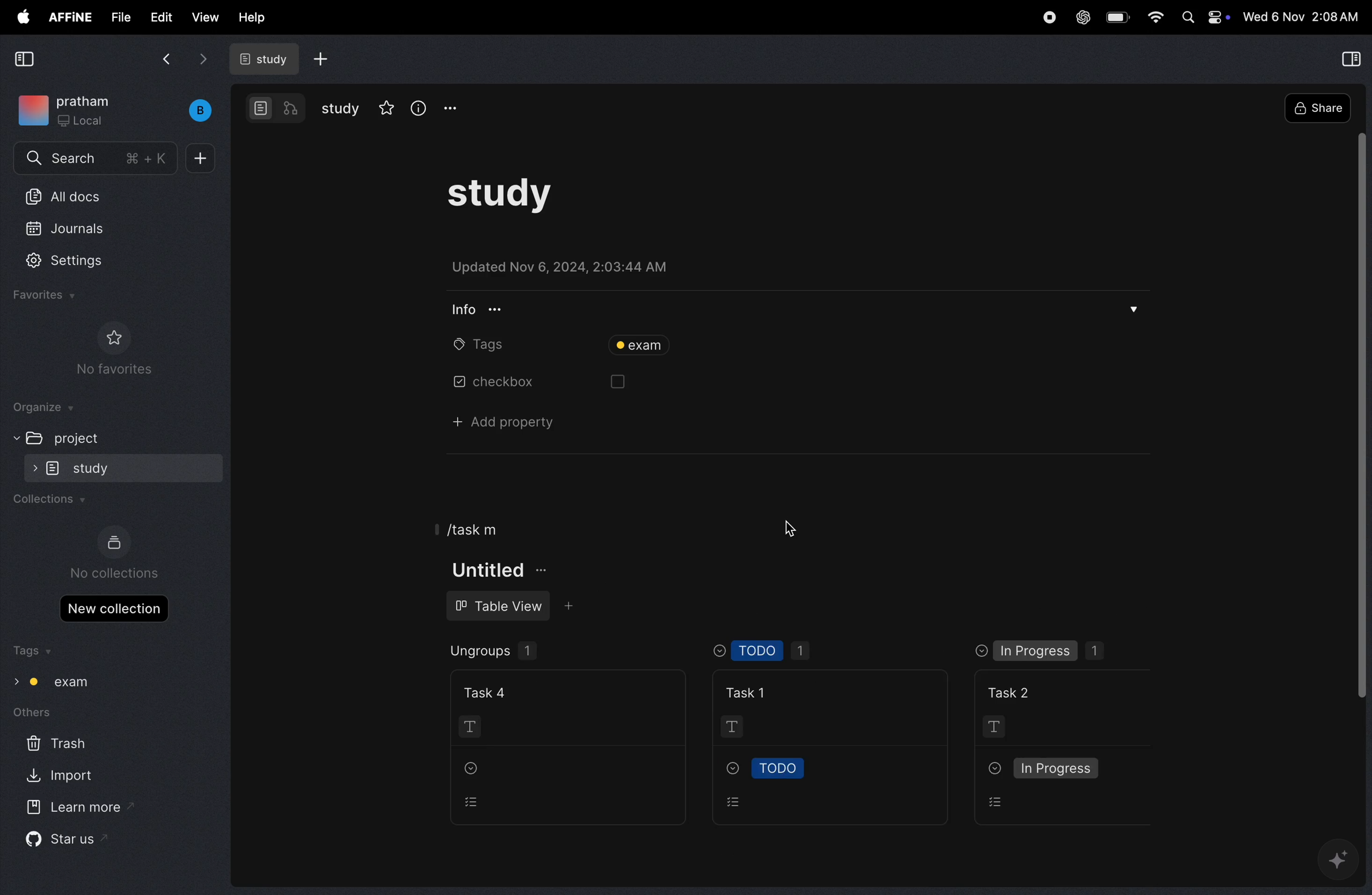  I want to click on table view, so click(499, 606).